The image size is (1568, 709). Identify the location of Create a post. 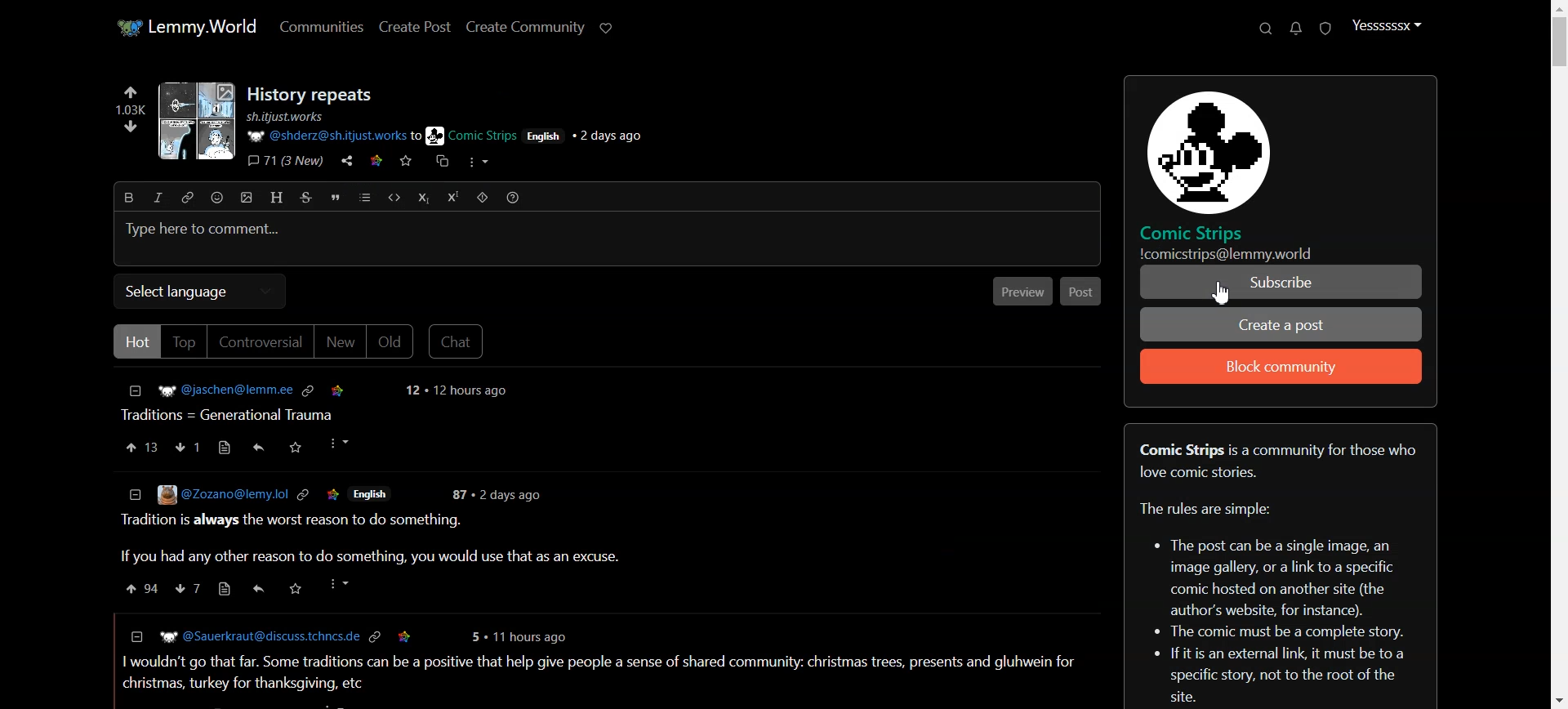
(1281, 324).